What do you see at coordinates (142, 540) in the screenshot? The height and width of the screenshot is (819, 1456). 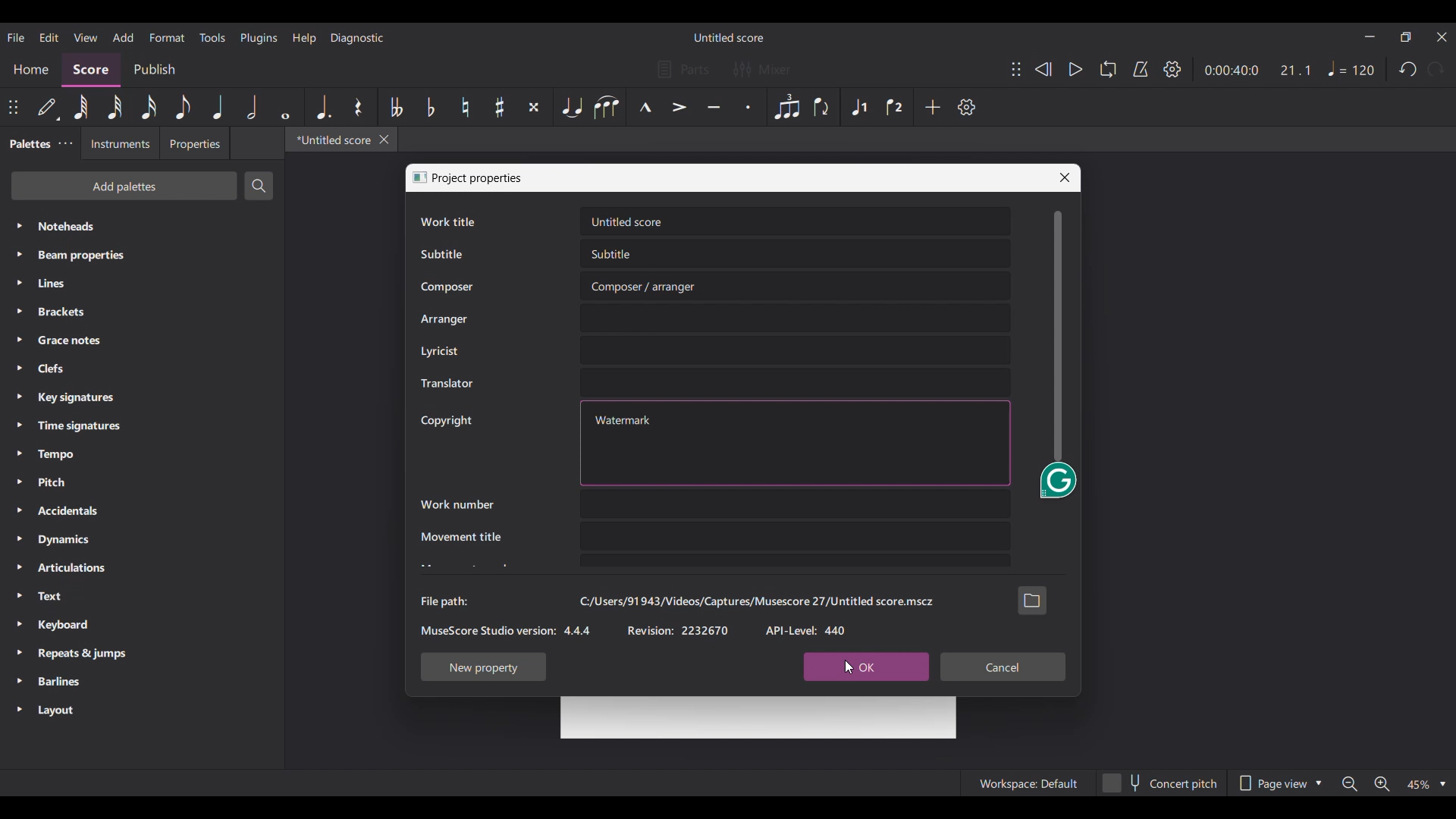 I see `Dynamics` at bounding box center [142, 540].